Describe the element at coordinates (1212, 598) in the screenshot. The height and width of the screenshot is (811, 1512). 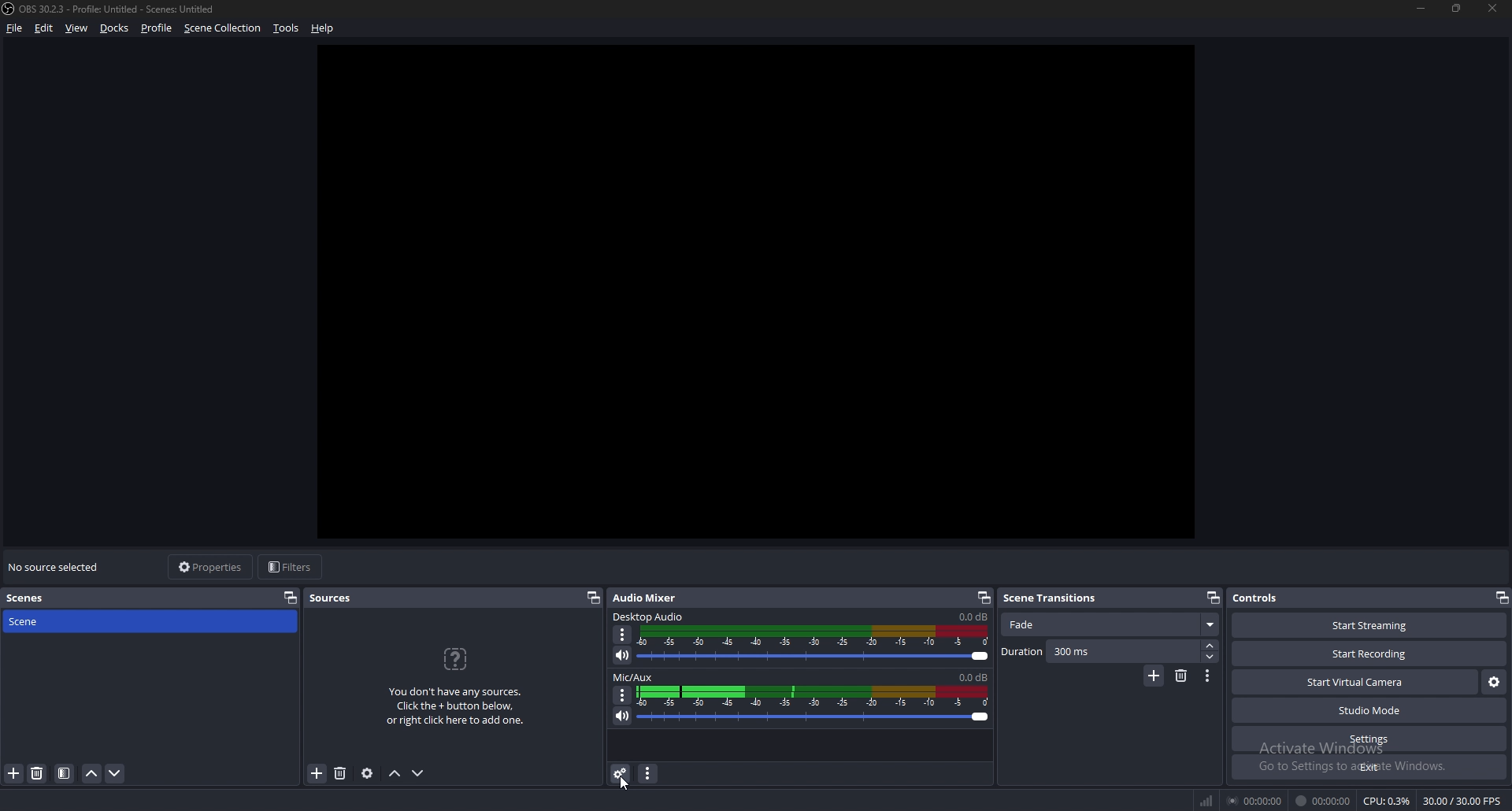
I see `pop out` at that location.